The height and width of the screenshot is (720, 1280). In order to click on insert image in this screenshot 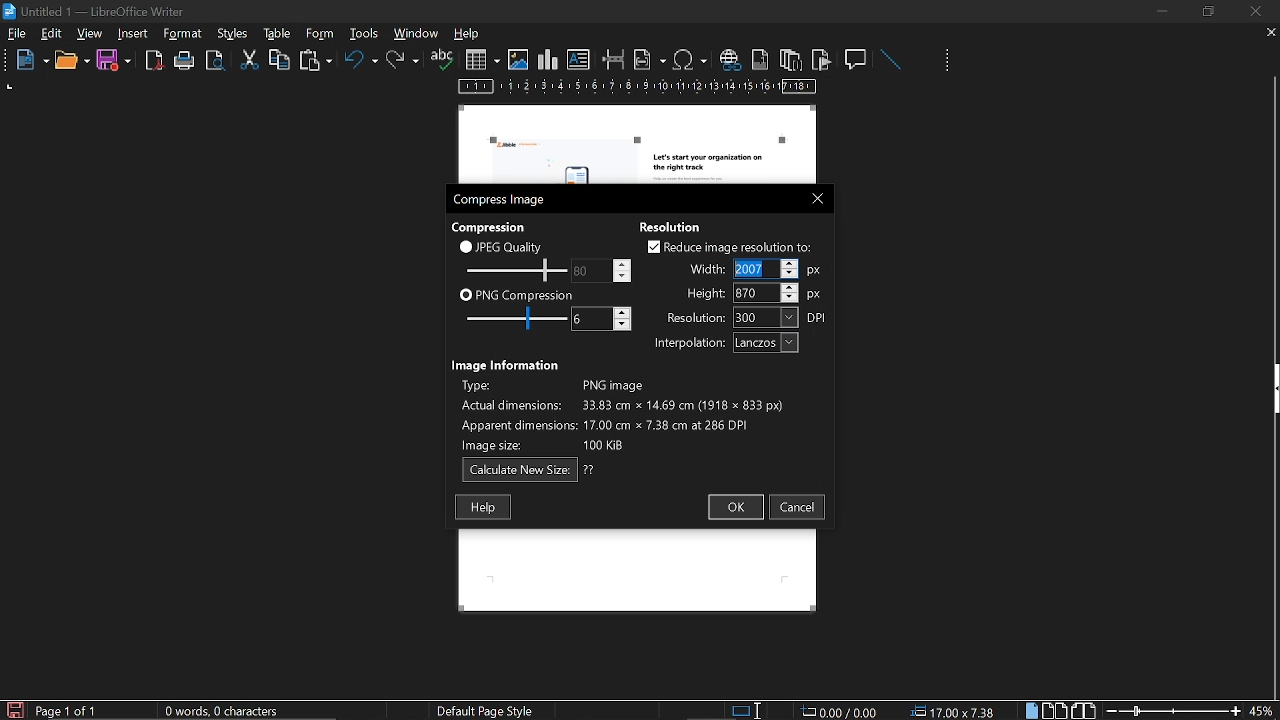, I will do `click(518, 60)`.